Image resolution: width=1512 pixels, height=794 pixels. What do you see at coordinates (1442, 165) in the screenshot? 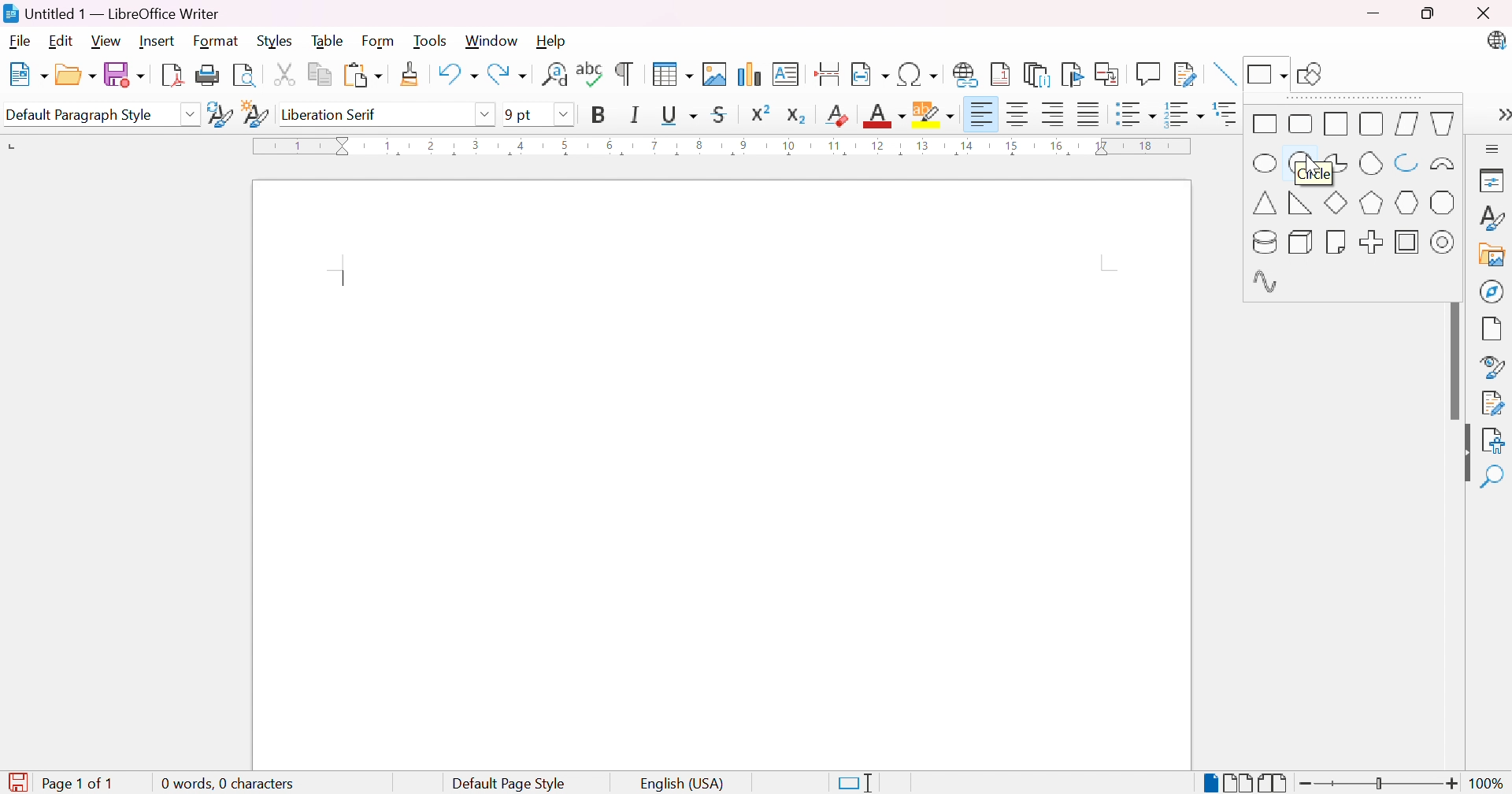
I see `Block arc` at bounding box center [1442, 165].